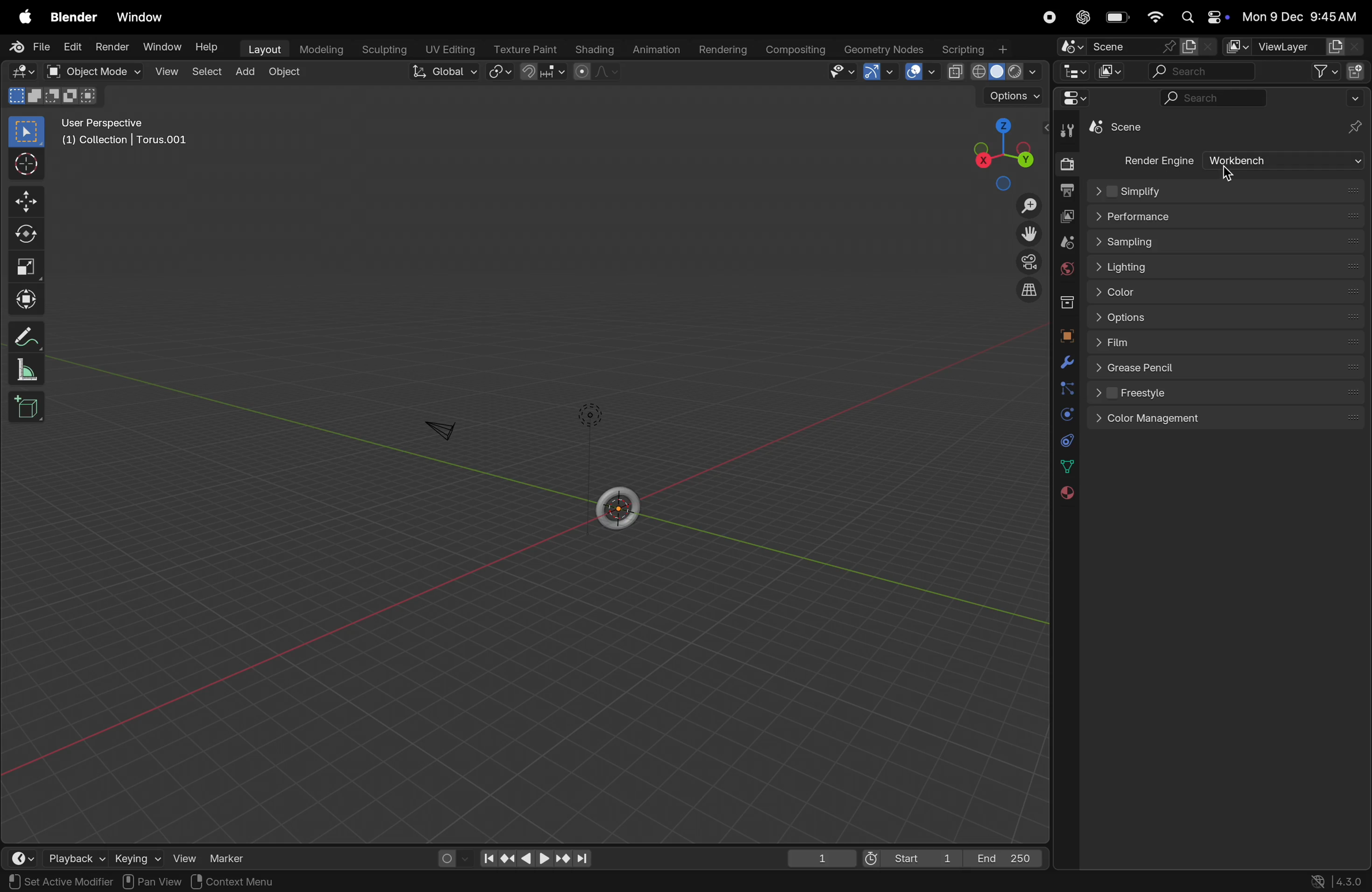  What do you see at coordinates (35, 882) in the screenshot?
I see `Set Active` at bounding box center [35, 882].